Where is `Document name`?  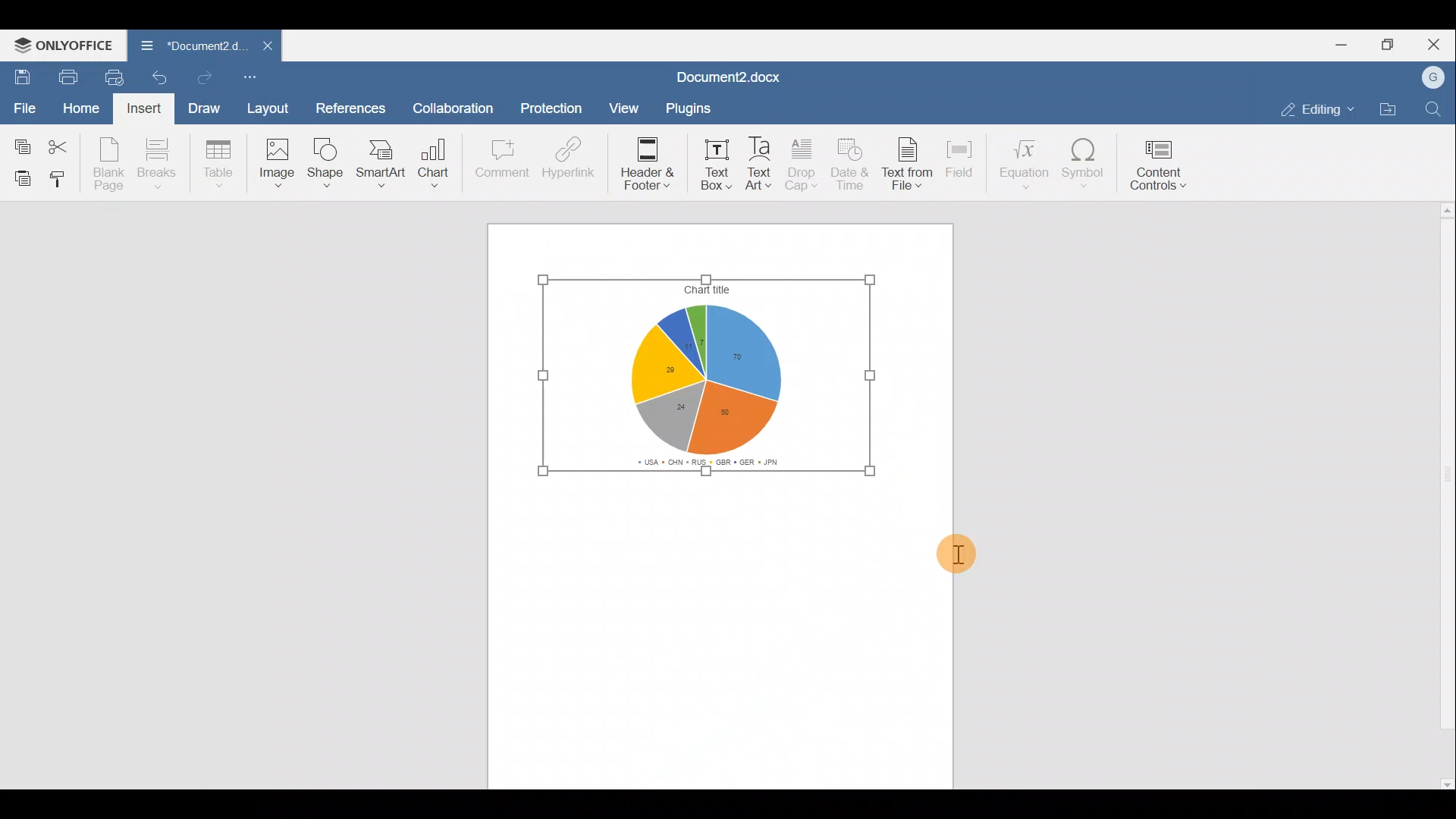 Document name is located at coordinates (188, 47).